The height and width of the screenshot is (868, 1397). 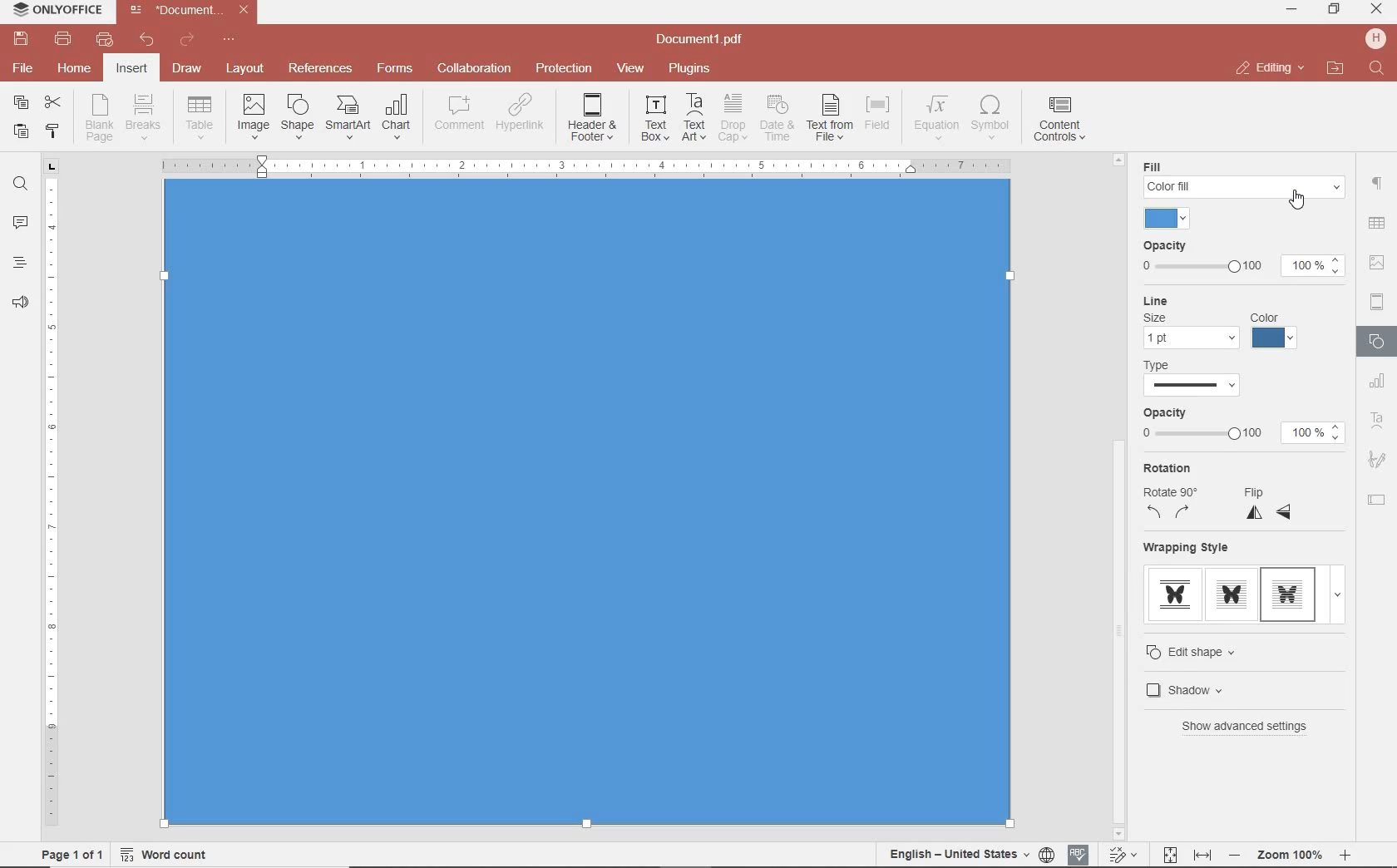 I want to click on INSERT FIELD, so click(x=879, y=113).